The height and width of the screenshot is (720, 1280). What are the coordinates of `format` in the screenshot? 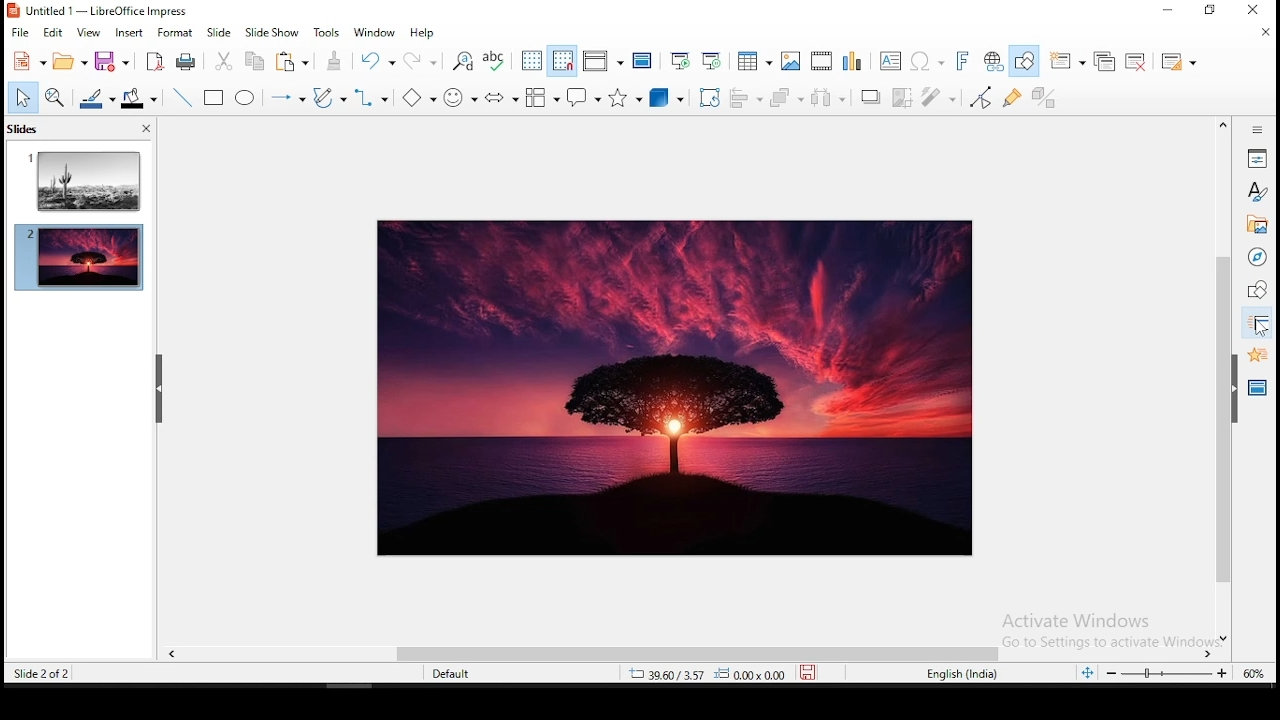 It's located at (175, 31).